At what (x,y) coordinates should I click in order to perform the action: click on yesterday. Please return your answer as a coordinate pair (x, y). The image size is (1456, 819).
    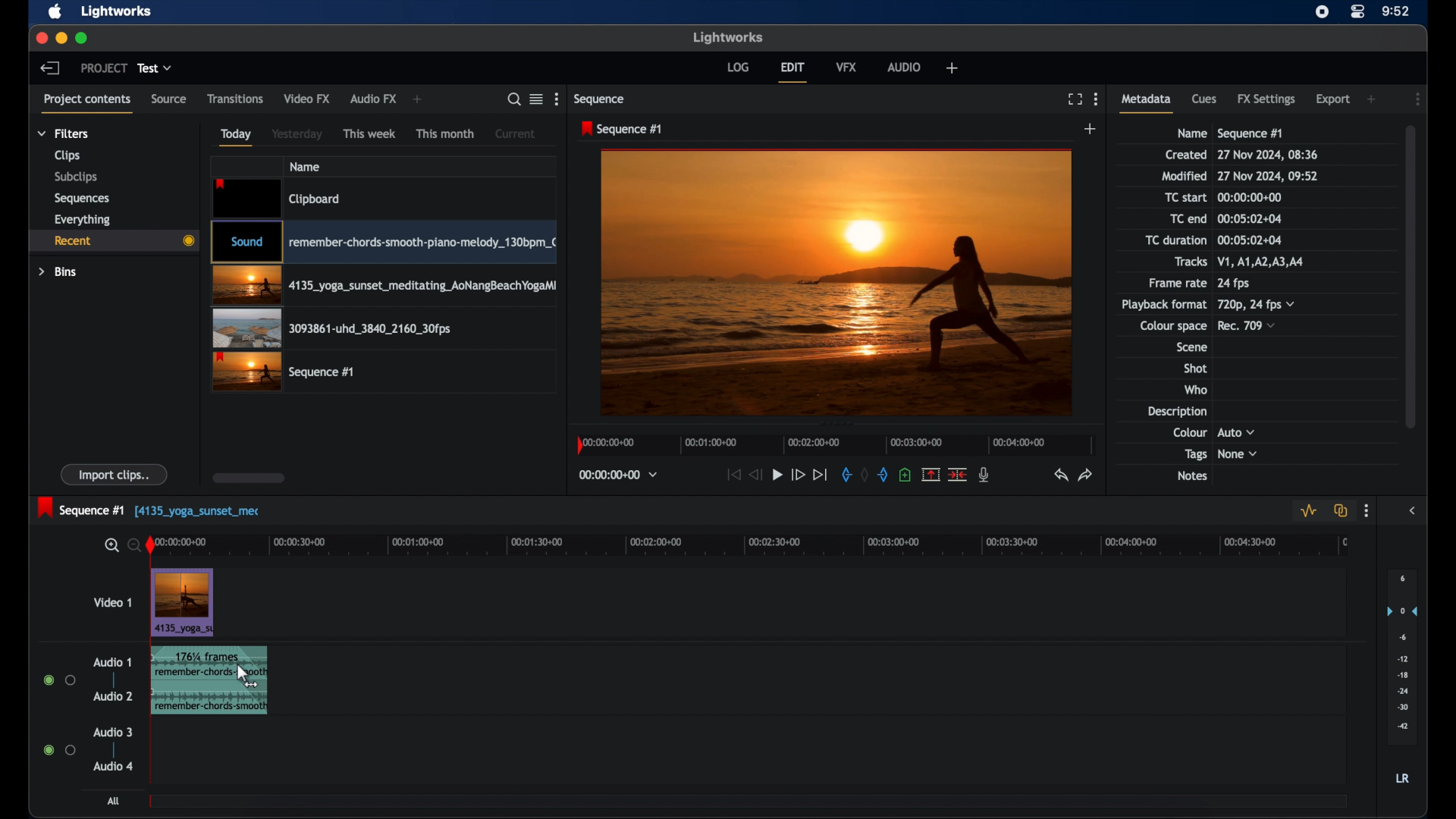
    Looking at the image, I should click on (297, 133).